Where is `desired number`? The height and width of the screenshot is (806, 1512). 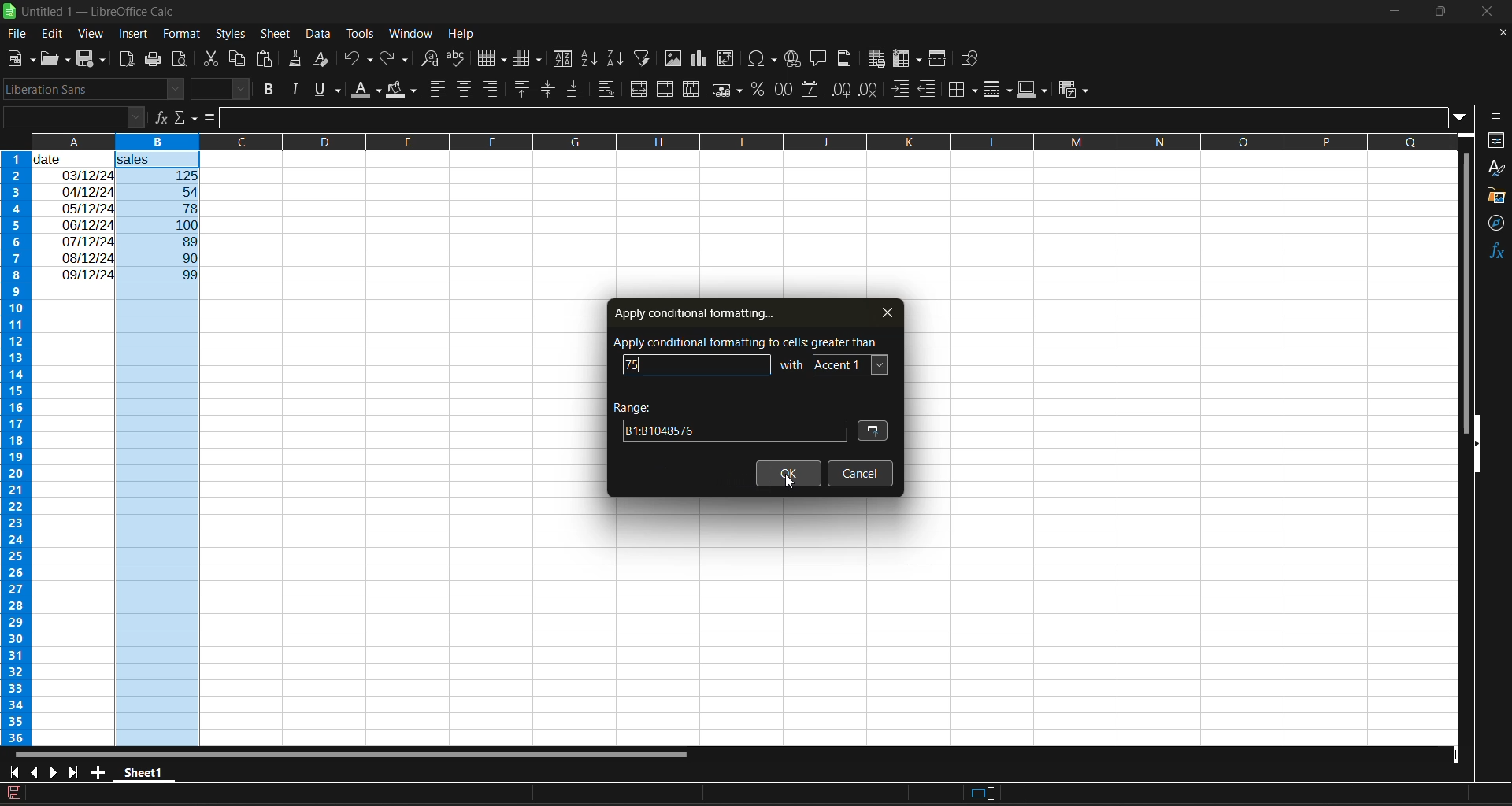
desired number is located at coordinates (636, 365).